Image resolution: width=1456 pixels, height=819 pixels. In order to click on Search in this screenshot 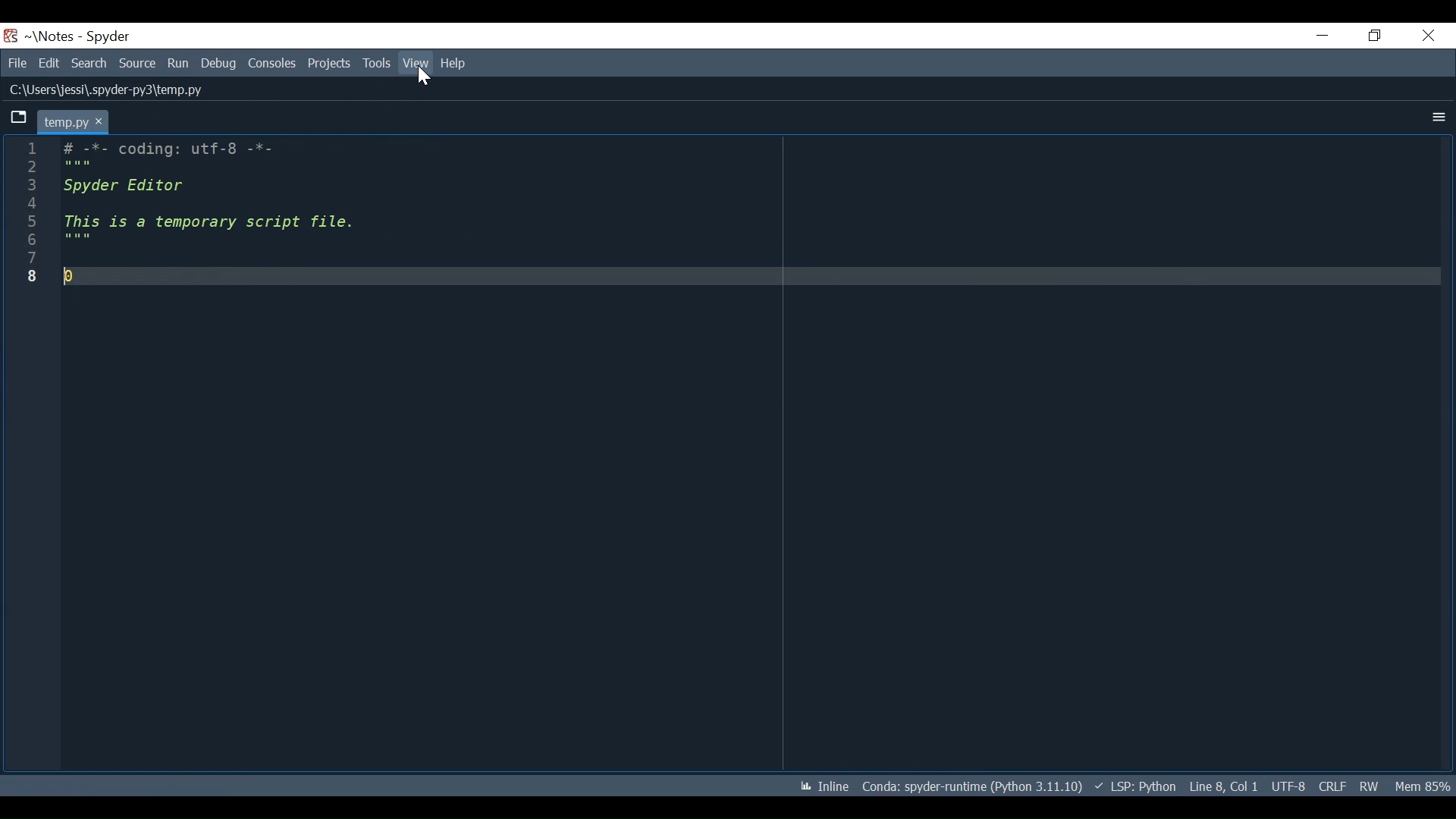, I will do `click(89, 63)`.